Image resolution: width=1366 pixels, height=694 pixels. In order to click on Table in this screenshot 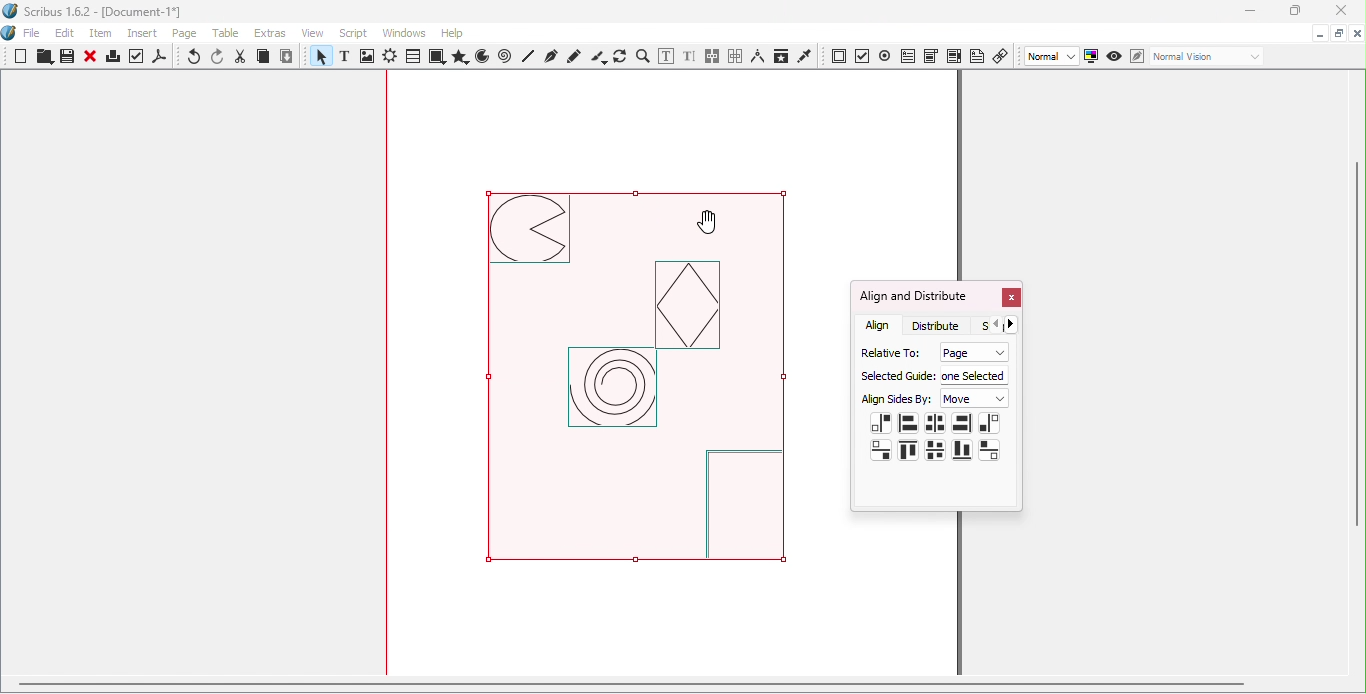, I will do `click(229, 34)`.